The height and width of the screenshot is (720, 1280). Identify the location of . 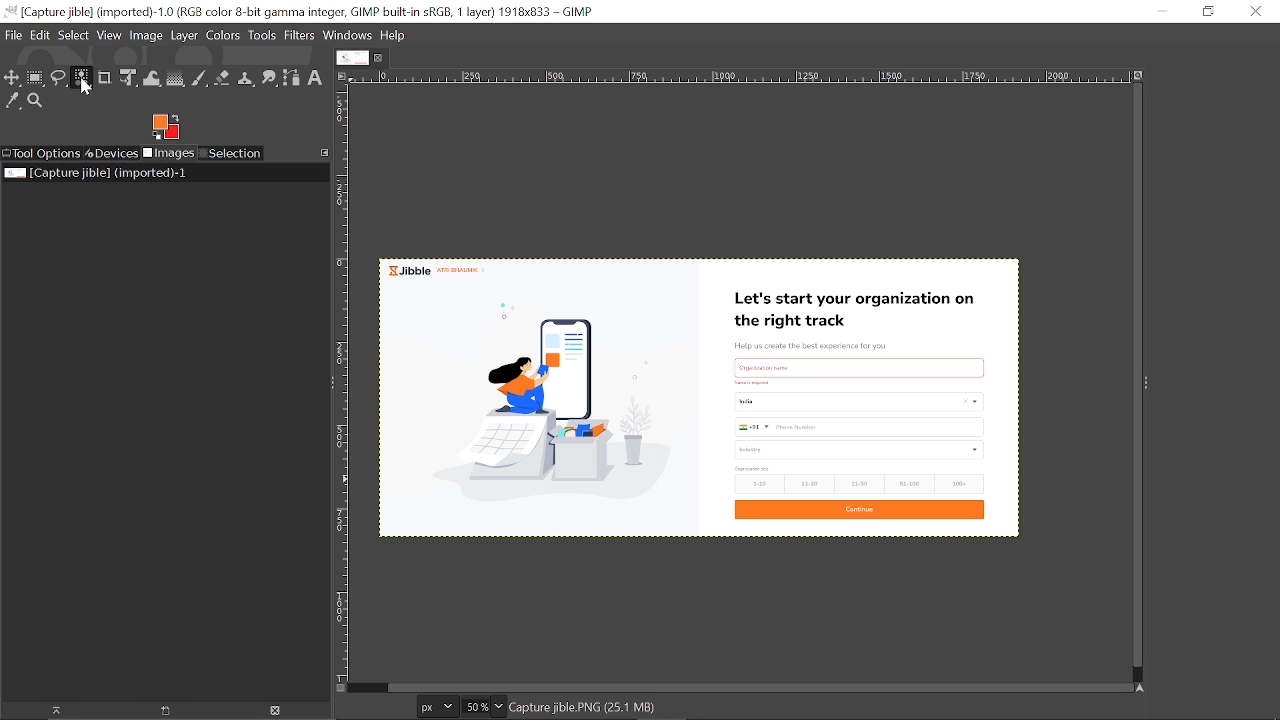
(264, 36).